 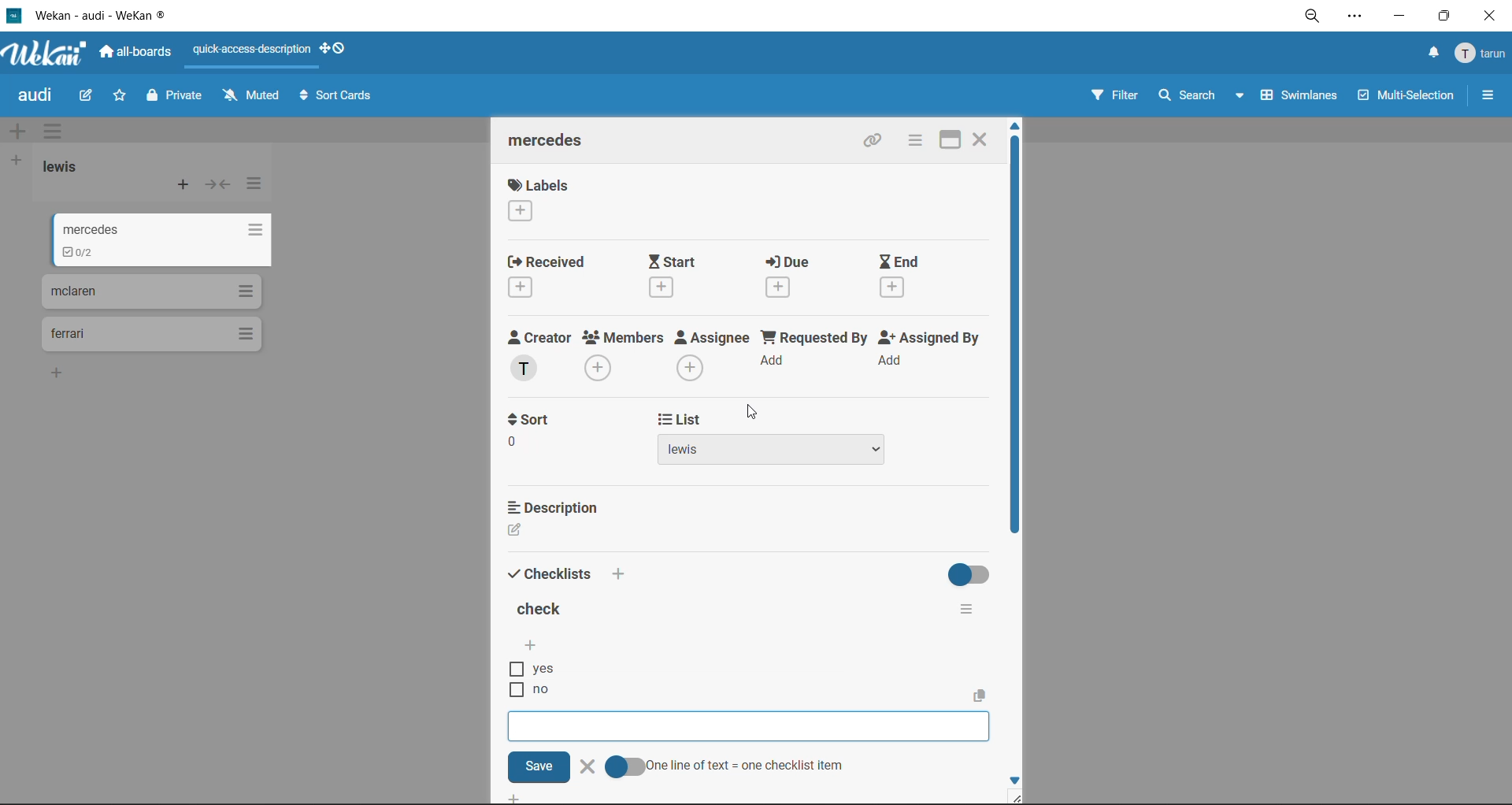 I want to click on add checklist option, so click(x=529, y=644).